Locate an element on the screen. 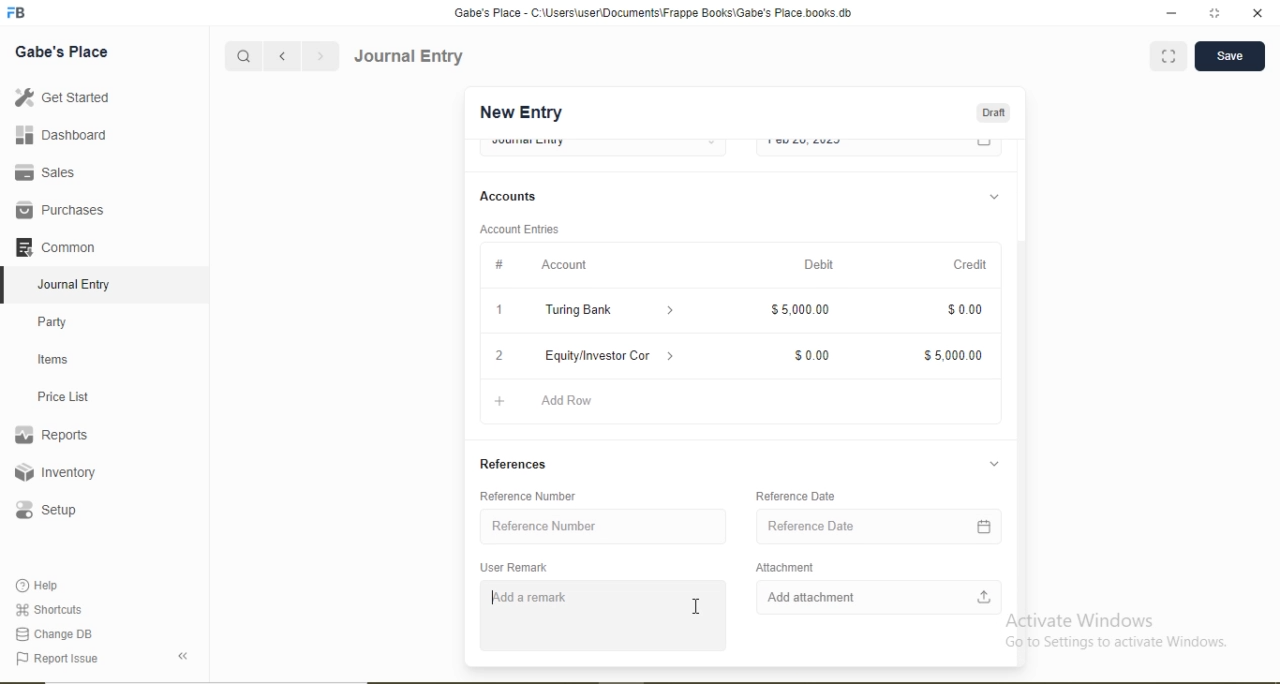  minimize is located at coordinates (1169, 14).